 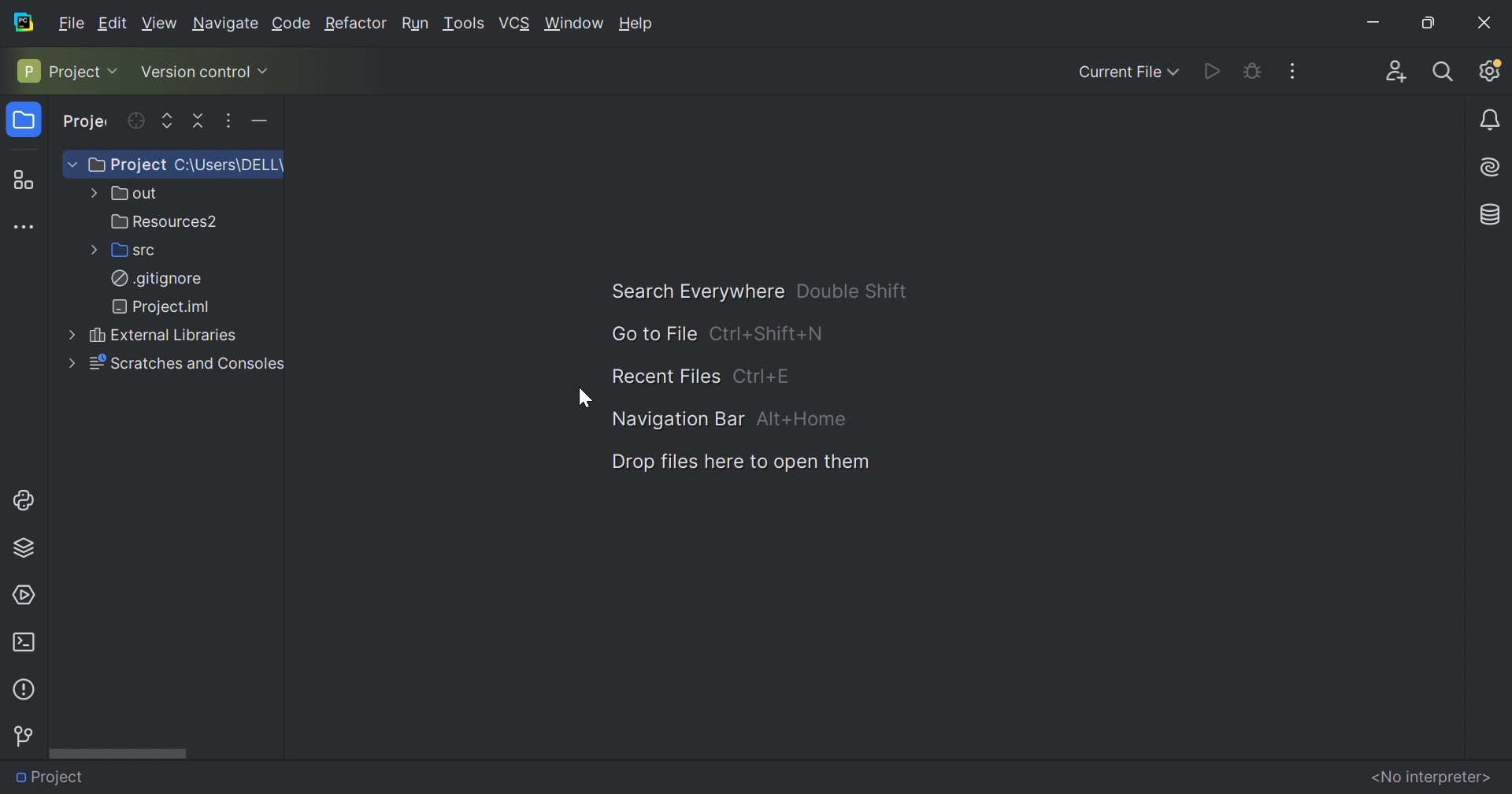 I want to click on Structure, so click(x=21, y=177).